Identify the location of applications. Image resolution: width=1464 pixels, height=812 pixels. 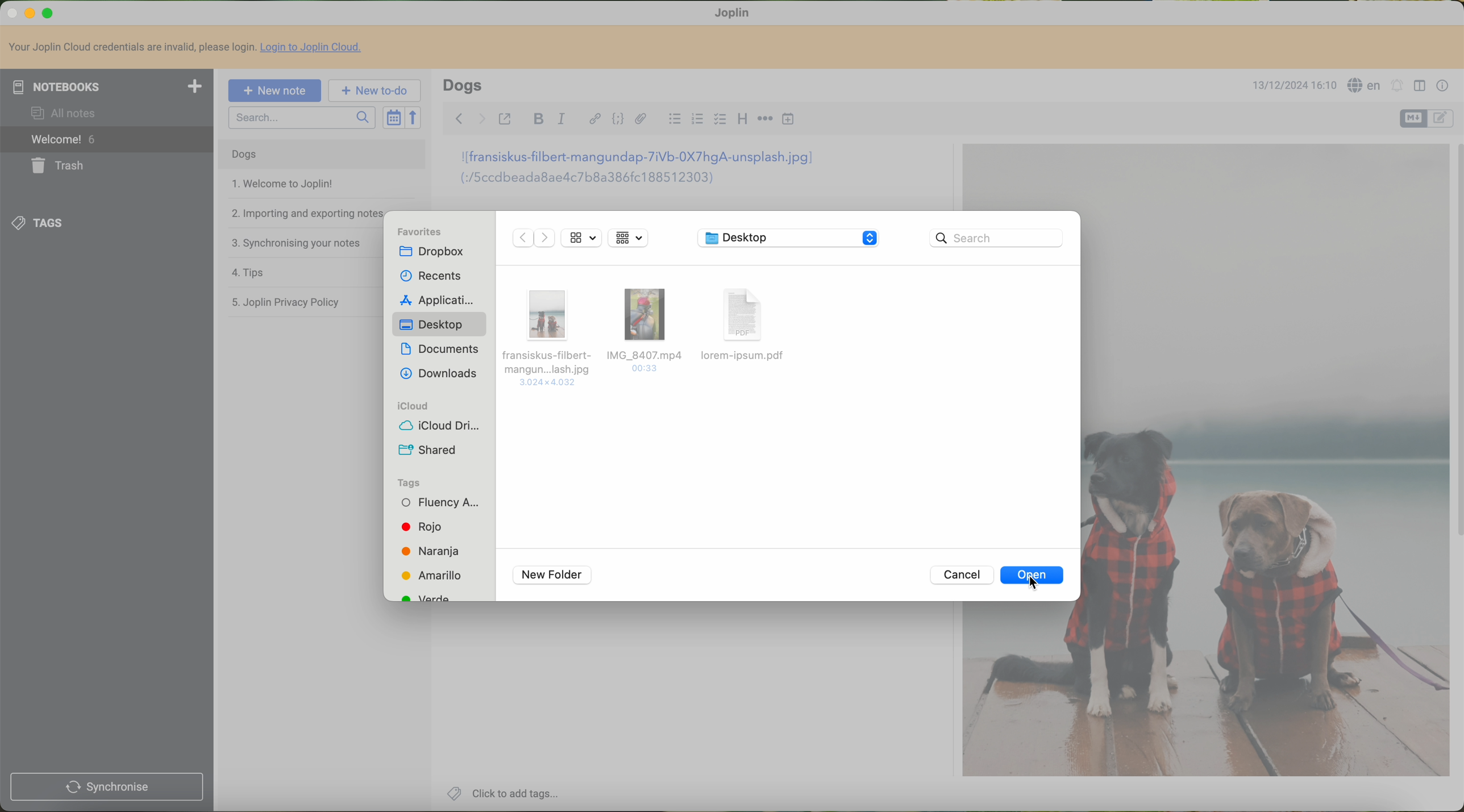
(434, 299).